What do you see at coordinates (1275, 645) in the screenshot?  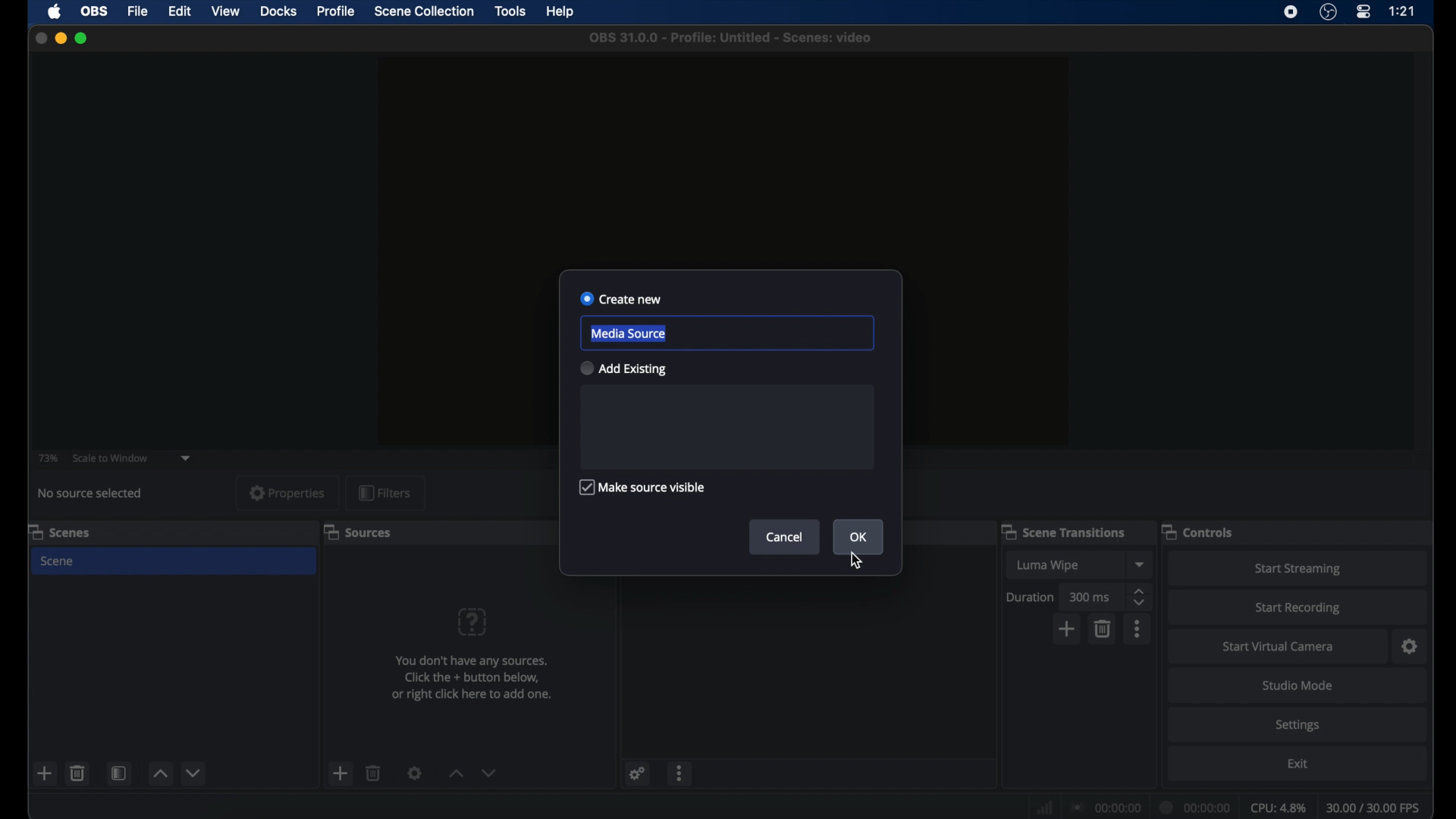 I see `start virtual camera` at bounding box center [1275, 645].